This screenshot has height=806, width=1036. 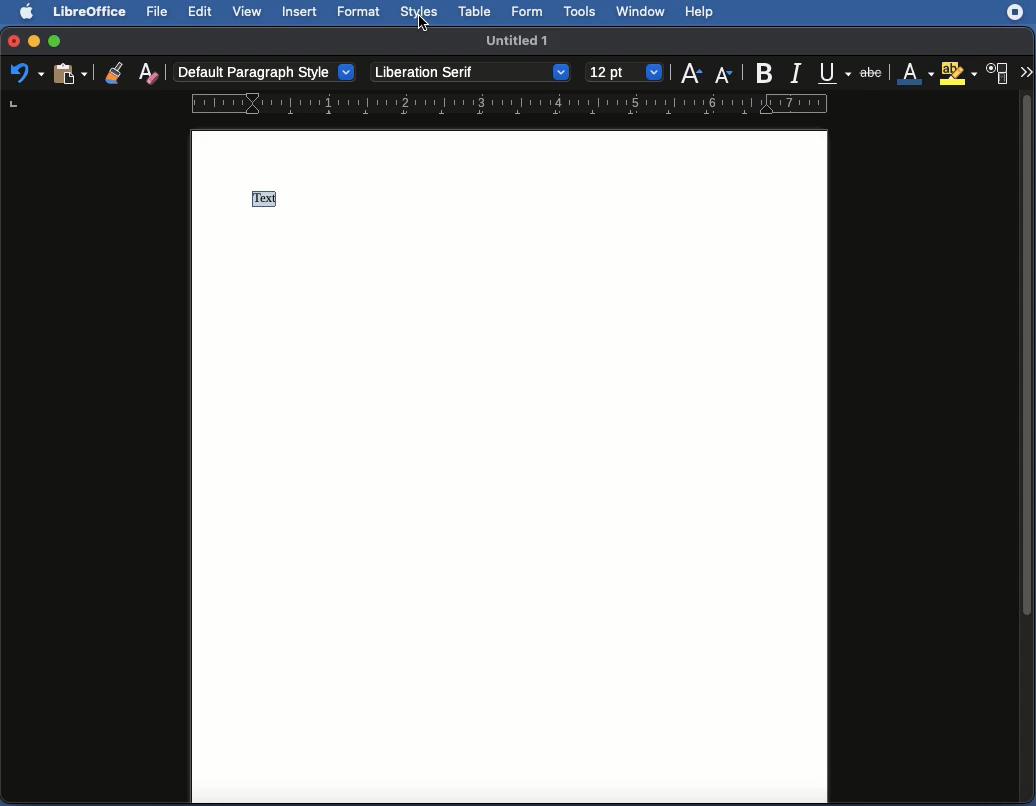 What do you see at coordinates (725, 74) in the screenshot?
I see `Size decrease` at bounding box center [725, 74].